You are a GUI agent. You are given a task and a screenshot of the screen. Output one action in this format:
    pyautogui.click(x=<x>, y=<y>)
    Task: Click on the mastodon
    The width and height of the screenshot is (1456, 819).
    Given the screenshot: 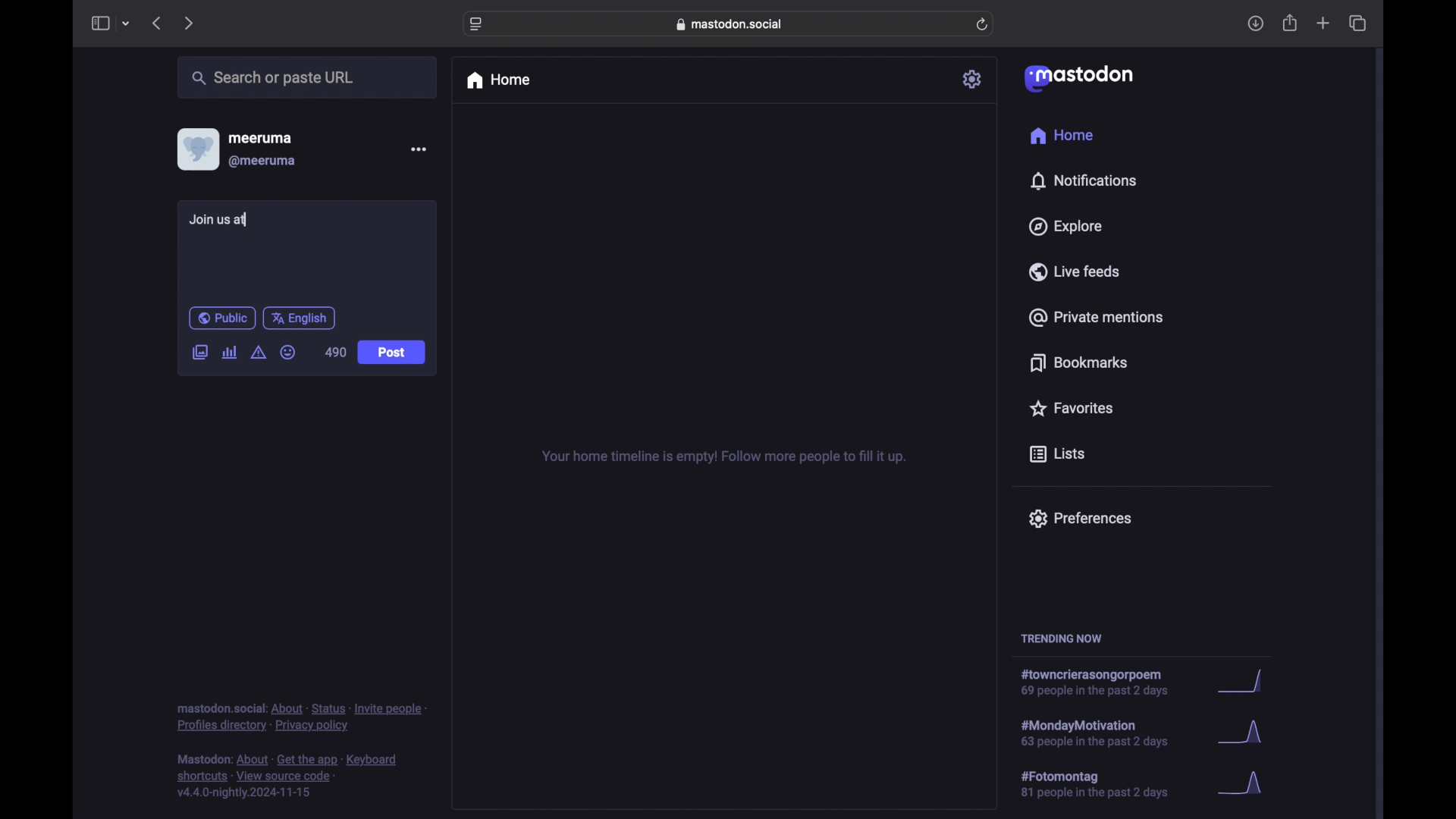 What is the action you would take?
    pyautogui.click(x=1077, y=77)
    